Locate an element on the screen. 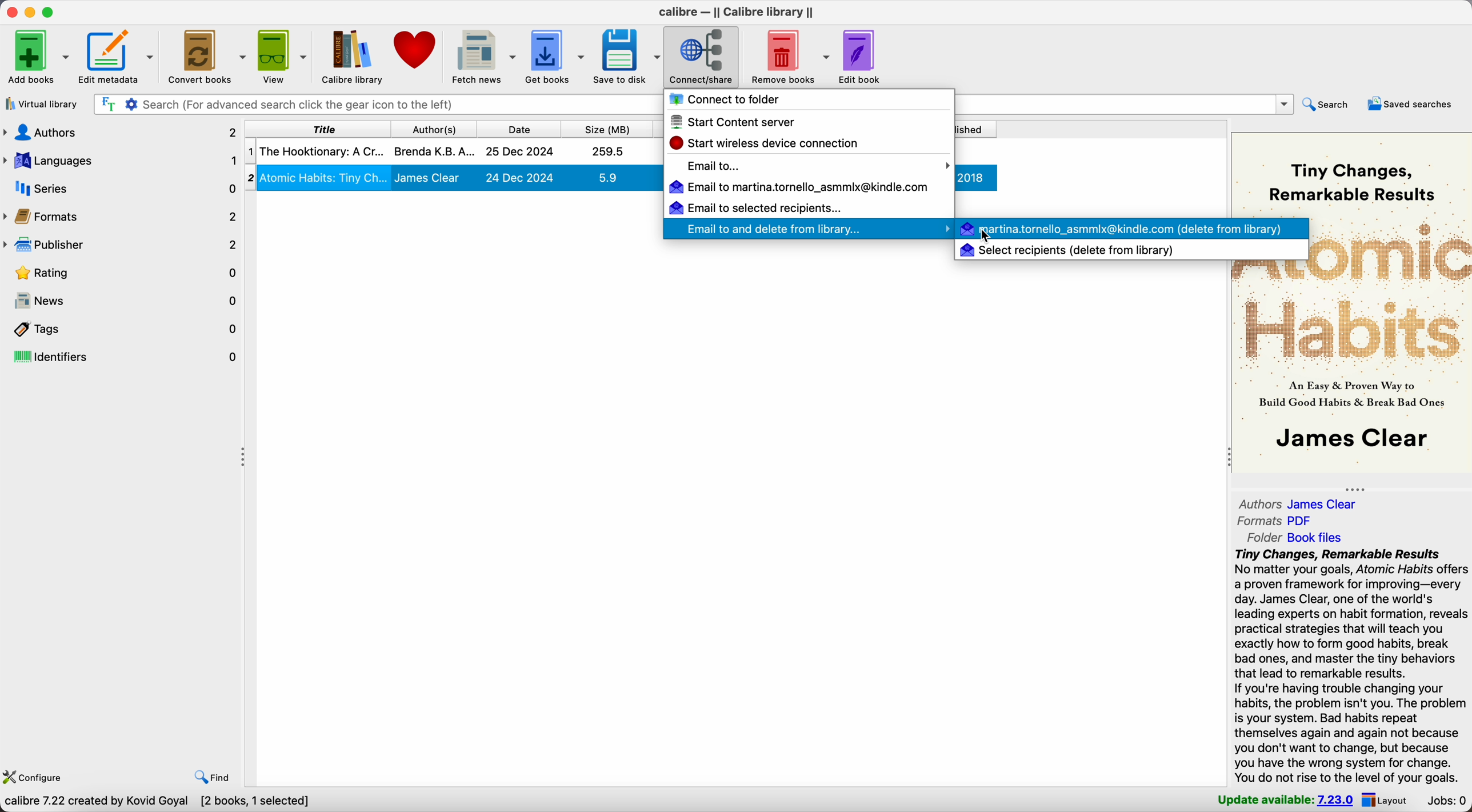 The image size is (1472, 812). fetch news is located at coordinates (484, 56).